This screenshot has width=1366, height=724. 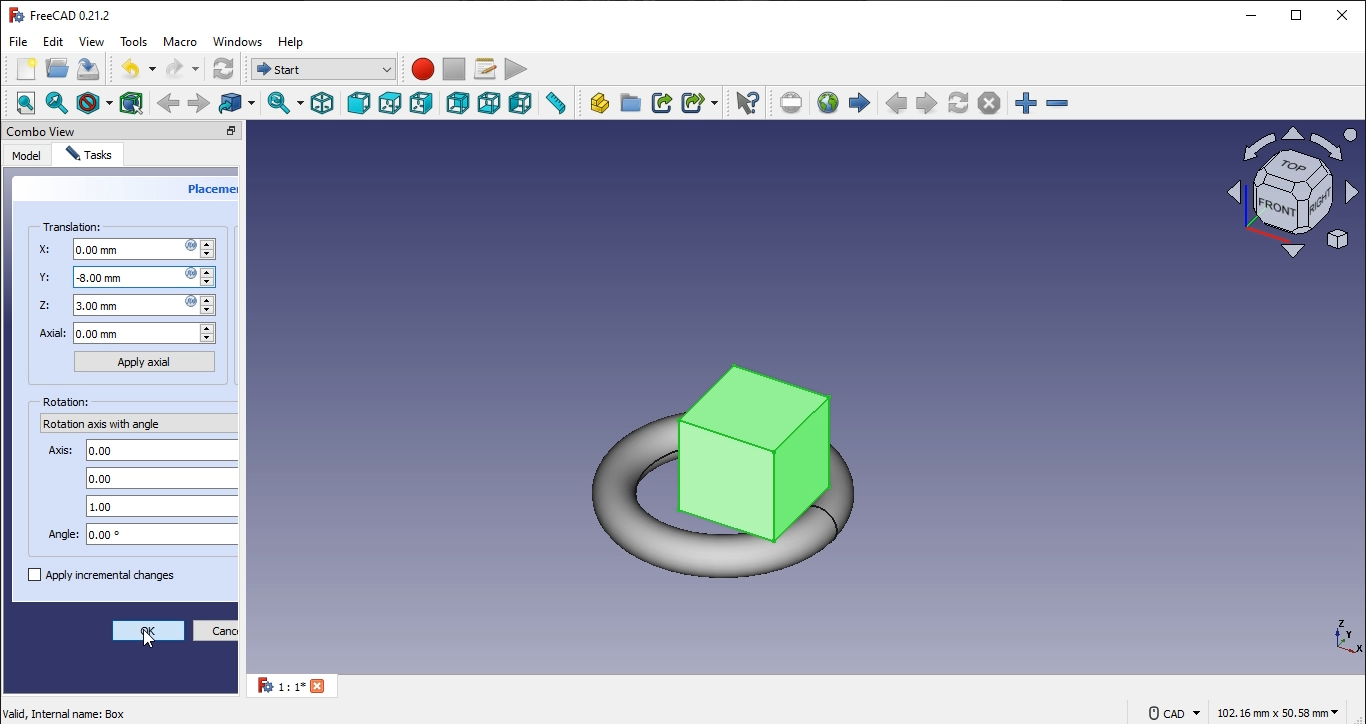 What do you see at coordinates (61, 13) in the screenshot?
I see ` FreeCAD 0.21.2` at bounding box center [61, 13].